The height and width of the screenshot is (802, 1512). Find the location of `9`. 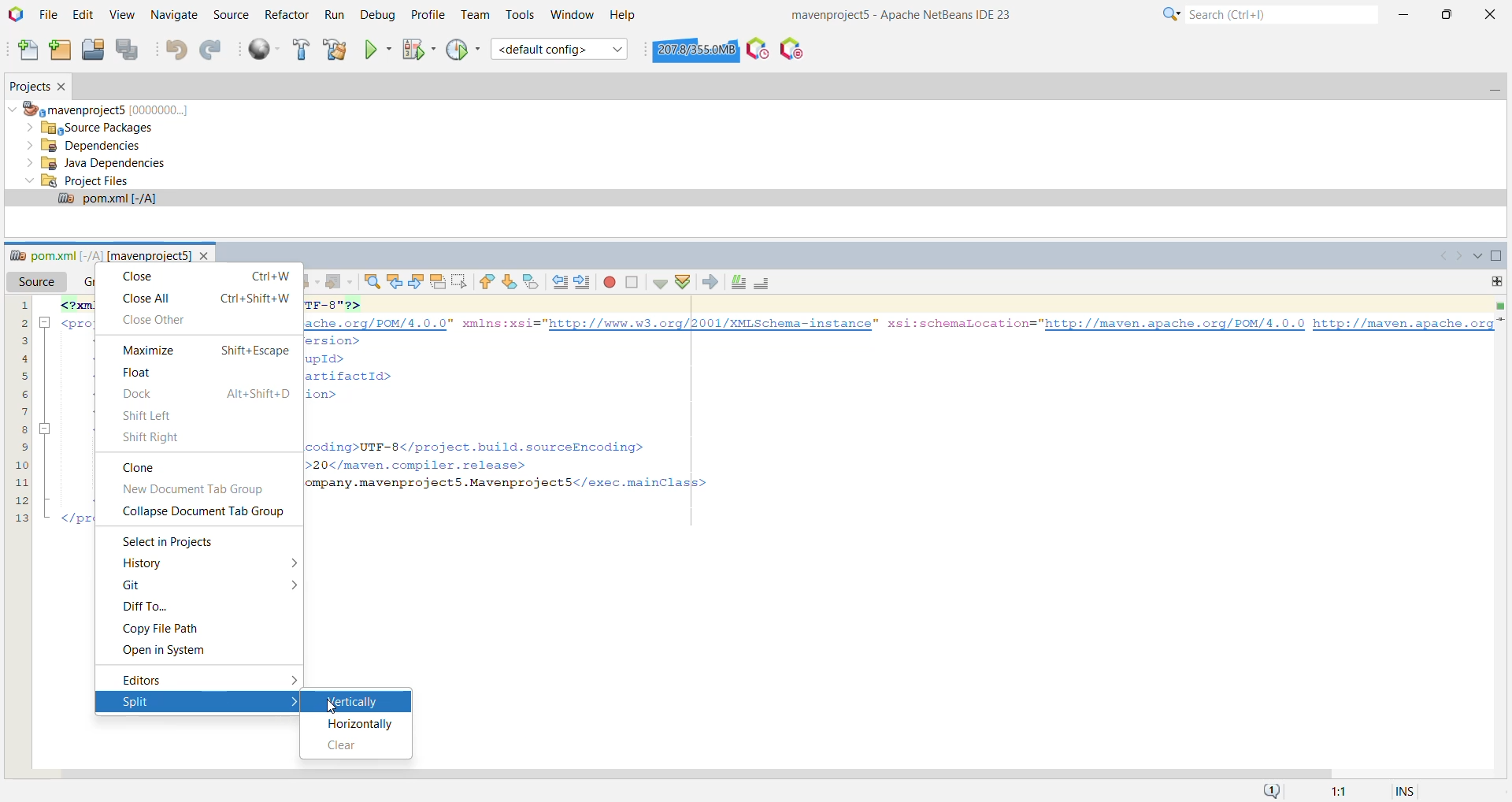

9 is located at coordinates (20, 444).